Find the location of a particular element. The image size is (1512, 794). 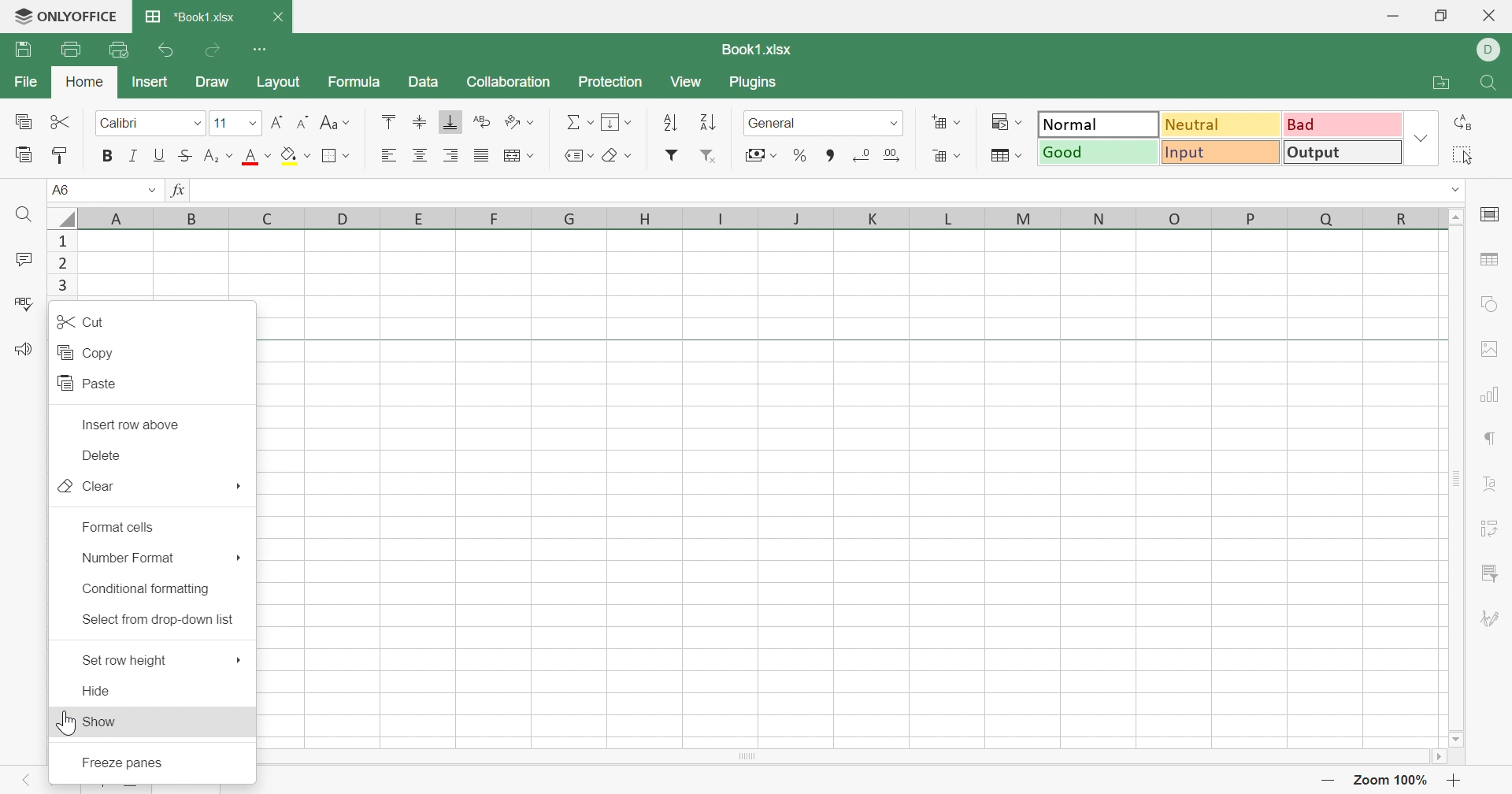

Summation is located at coordinates (577, 121).